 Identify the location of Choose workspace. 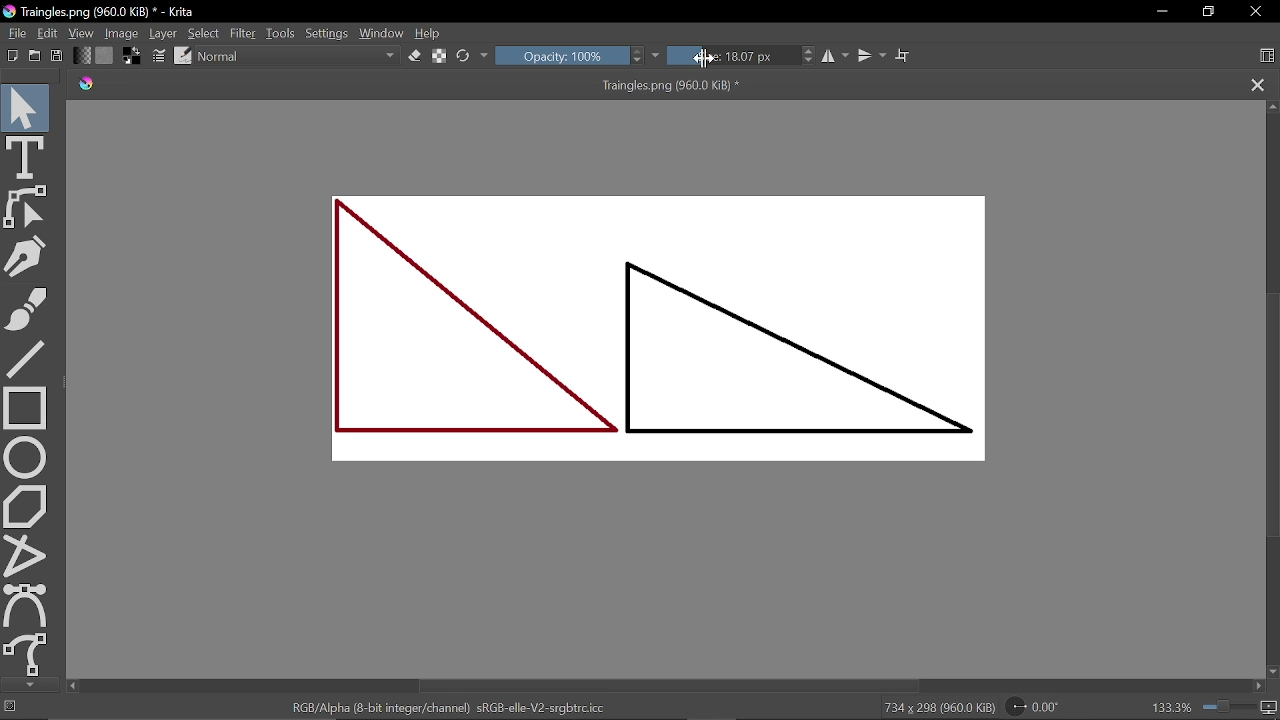
(1262, 56).